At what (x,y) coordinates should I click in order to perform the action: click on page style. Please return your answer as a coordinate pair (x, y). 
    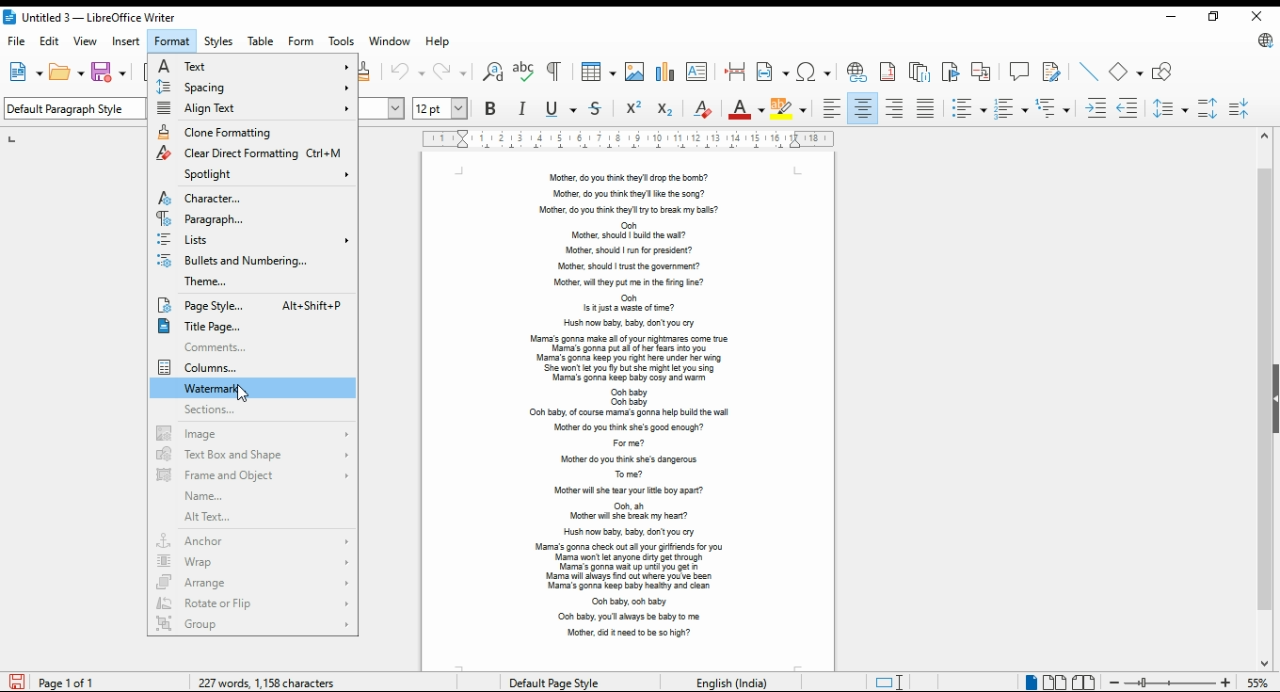
    Looking at the image, I should click on (549, 680).